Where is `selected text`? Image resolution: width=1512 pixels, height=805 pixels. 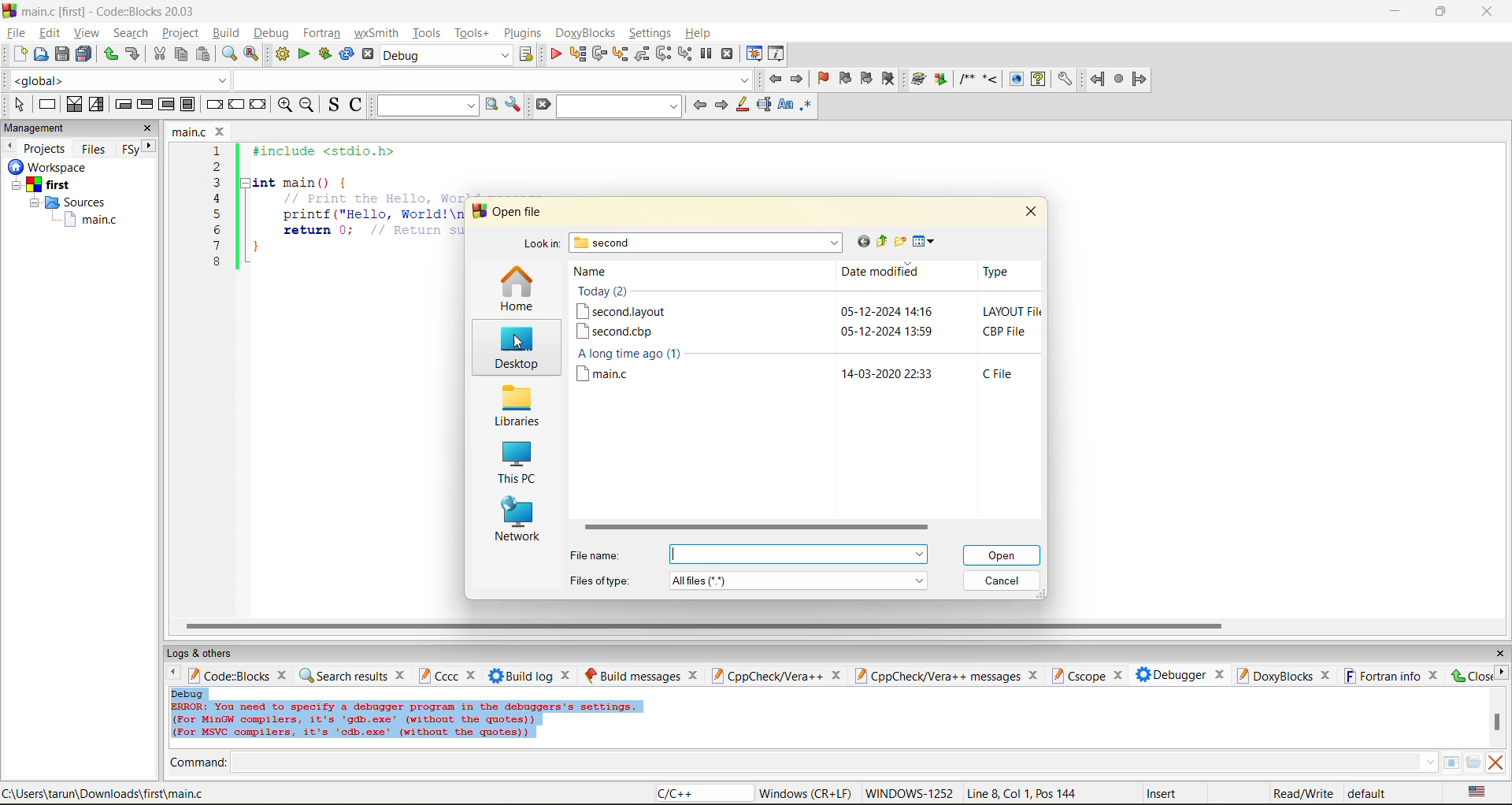
selected text is located at coordinates (764, 105).